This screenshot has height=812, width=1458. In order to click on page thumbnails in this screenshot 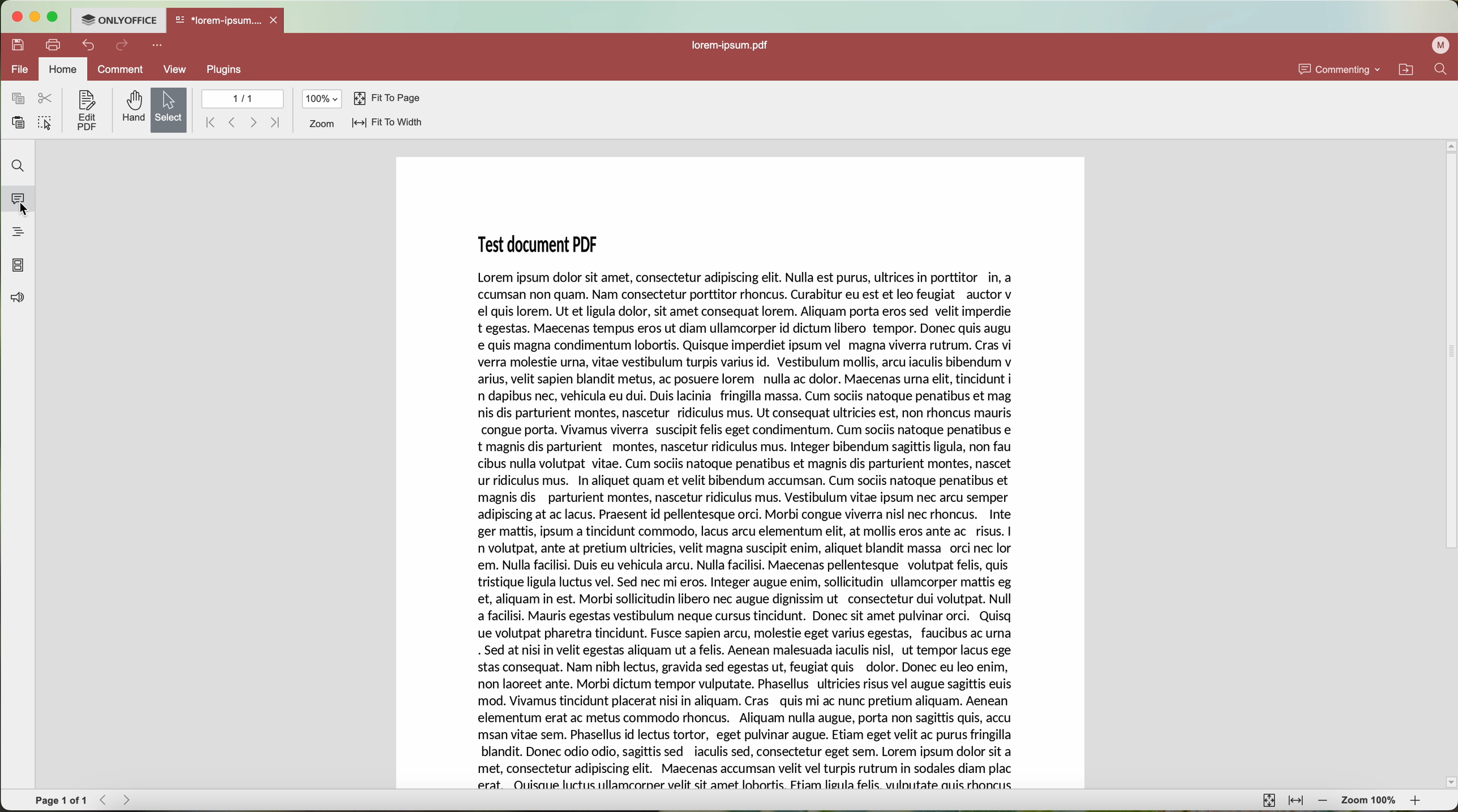, I will do `click(18, 266)`.